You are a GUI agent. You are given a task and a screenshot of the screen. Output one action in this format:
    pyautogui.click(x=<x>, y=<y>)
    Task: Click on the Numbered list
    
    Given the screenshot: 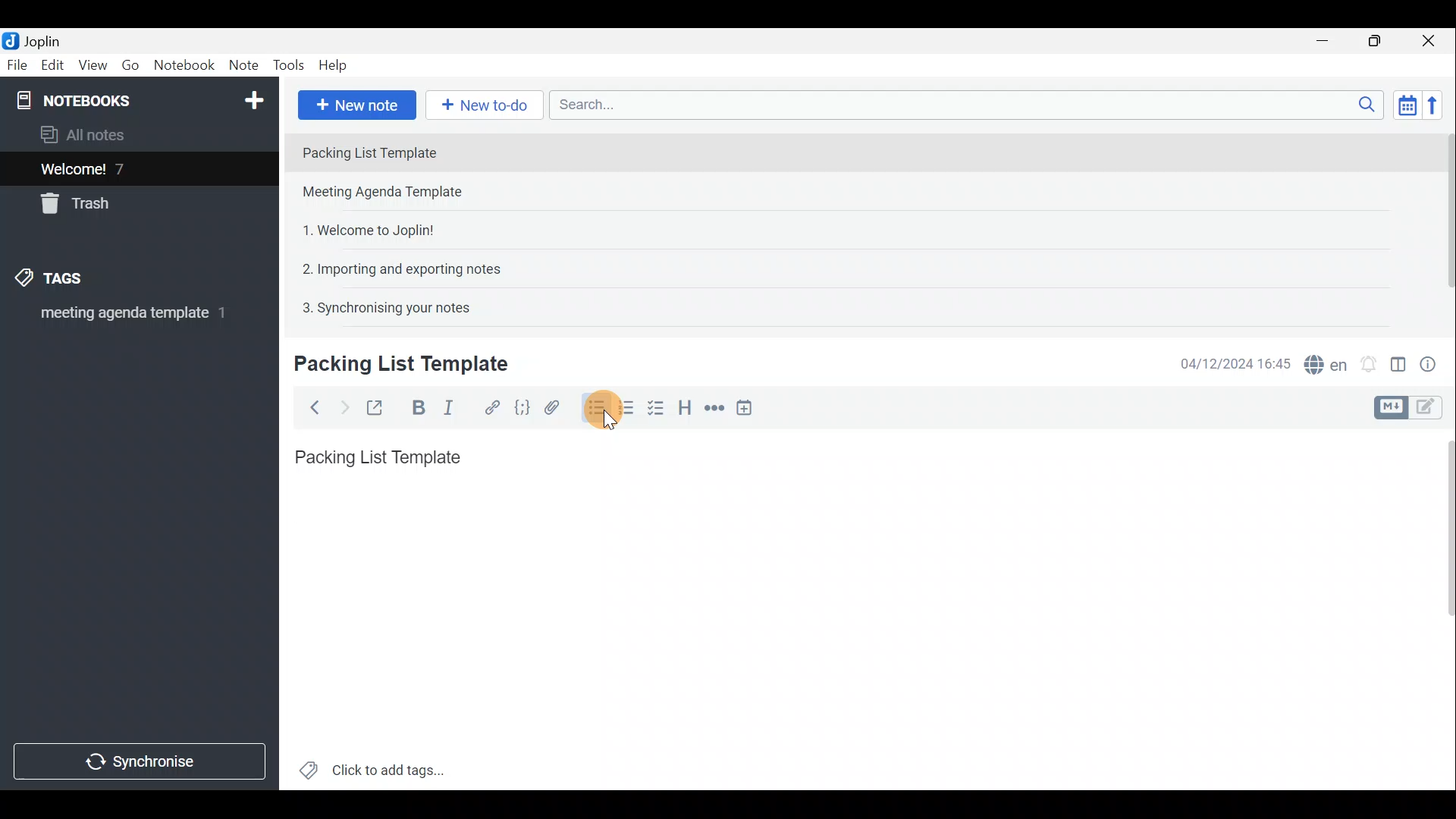 What is the action you would take?
    pyautogui.click(x=630, y=412)
    